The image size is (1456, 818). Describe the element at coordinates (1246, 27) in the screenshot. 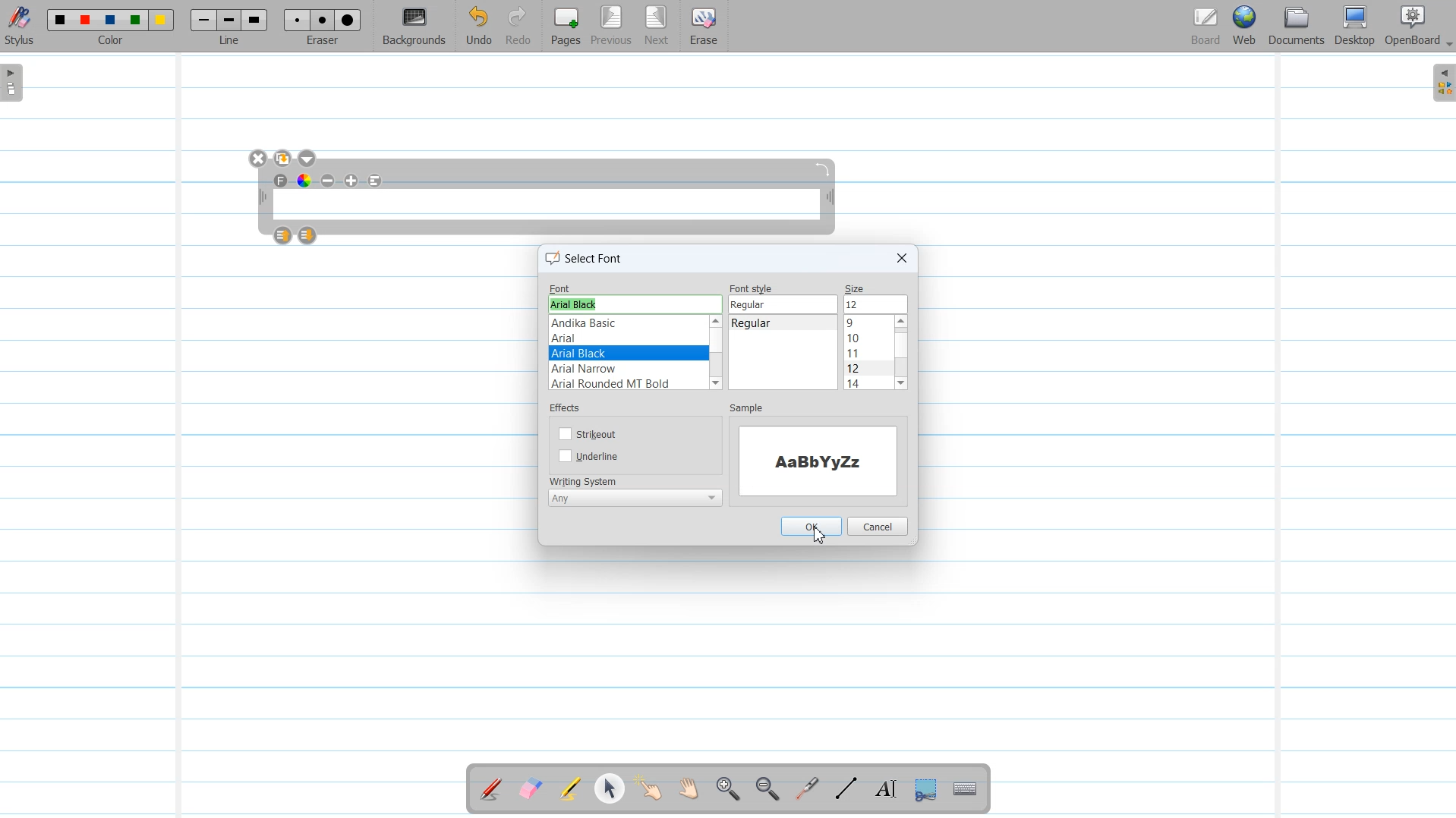

I see `Web` at that location.